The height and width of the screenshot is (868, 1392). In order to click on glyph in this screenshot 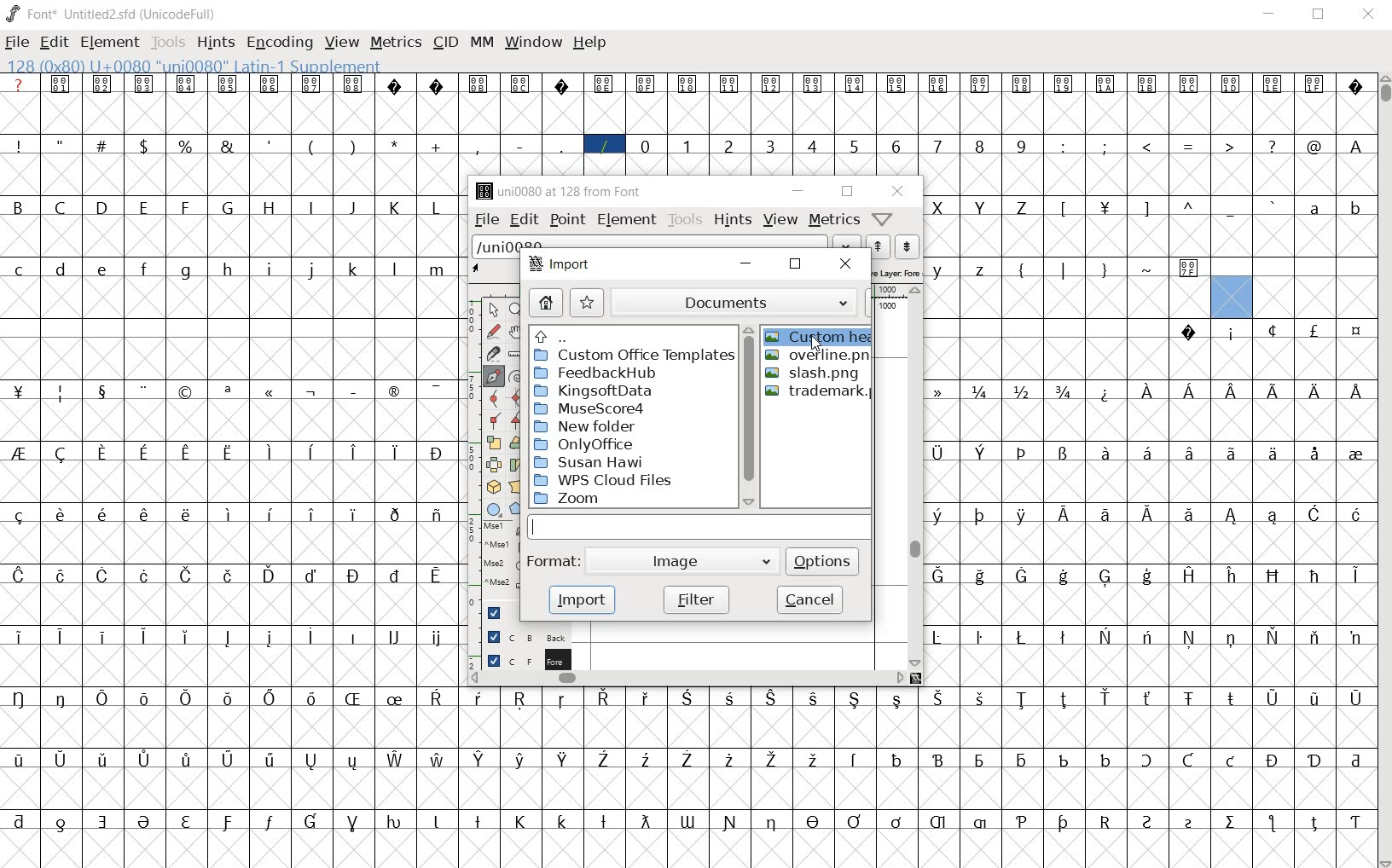, I will do `click(1357, 391)`.